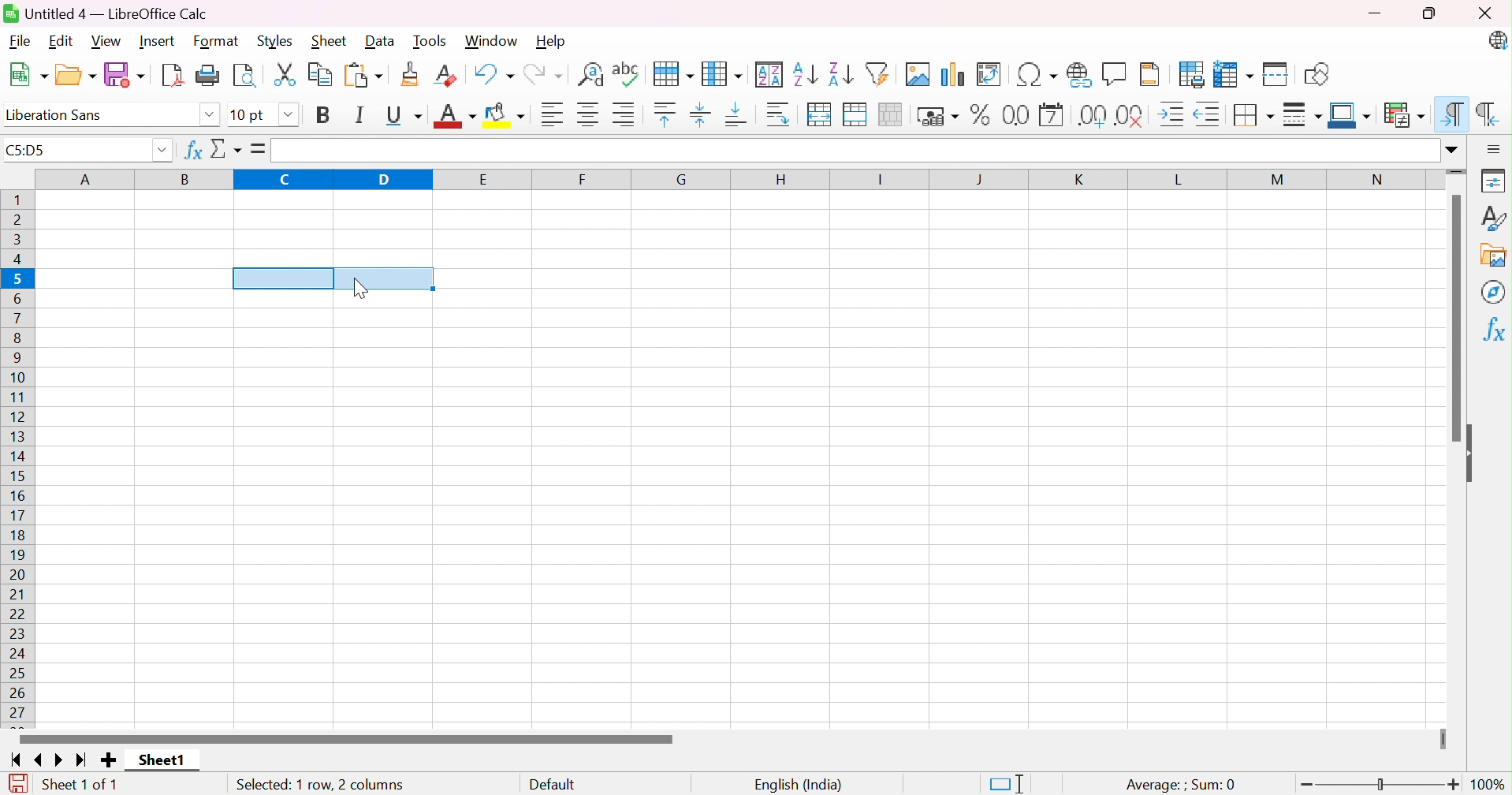 This screenshot has width=1512, height=795. I want to click on Increase Indent, so click(1175, 113).